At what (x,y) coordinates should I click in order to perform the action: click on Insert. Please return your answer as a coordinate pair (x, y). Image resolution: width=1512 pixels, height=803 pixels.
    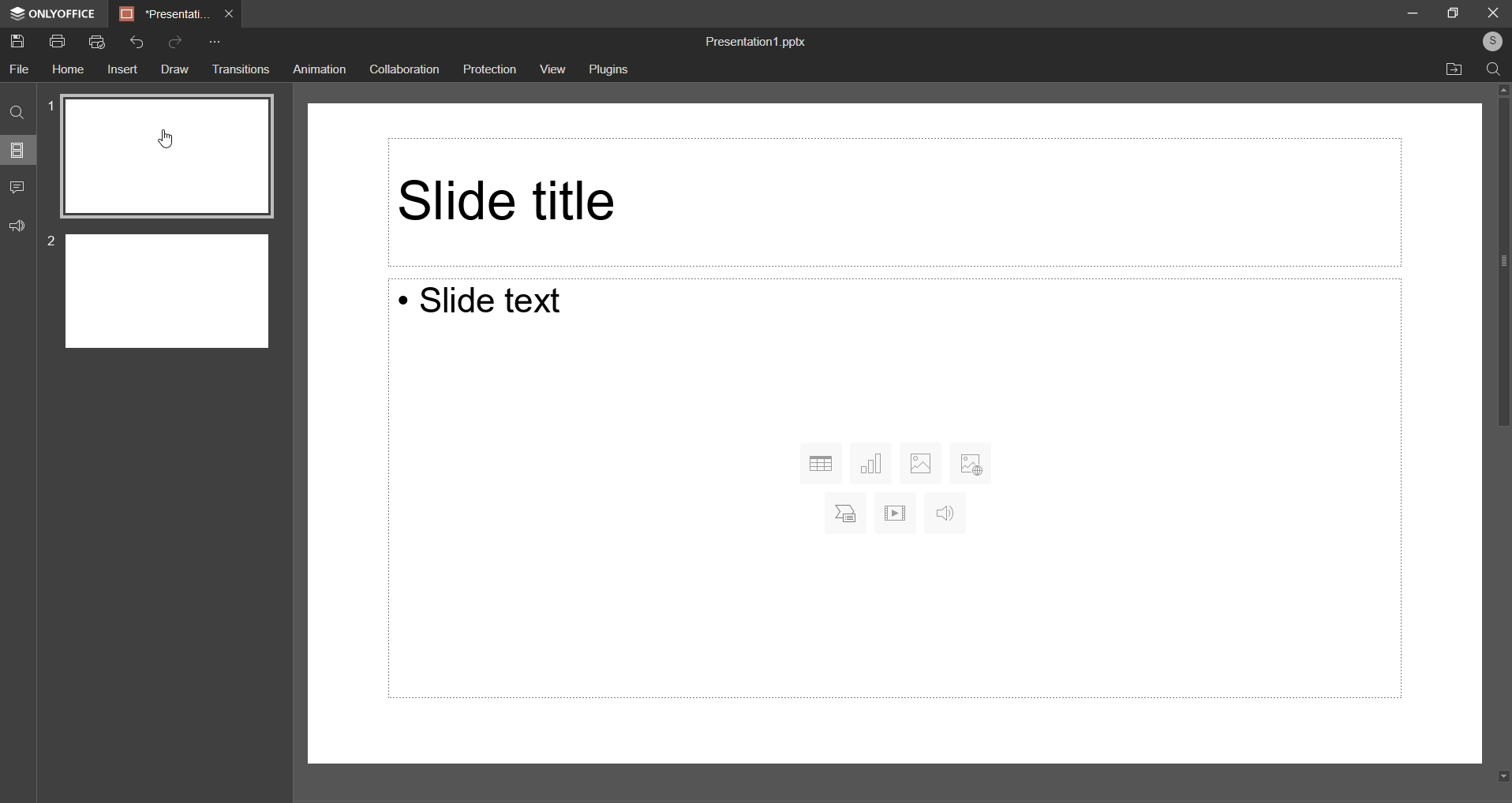
    Looking at the image, I should click on (122, 71).